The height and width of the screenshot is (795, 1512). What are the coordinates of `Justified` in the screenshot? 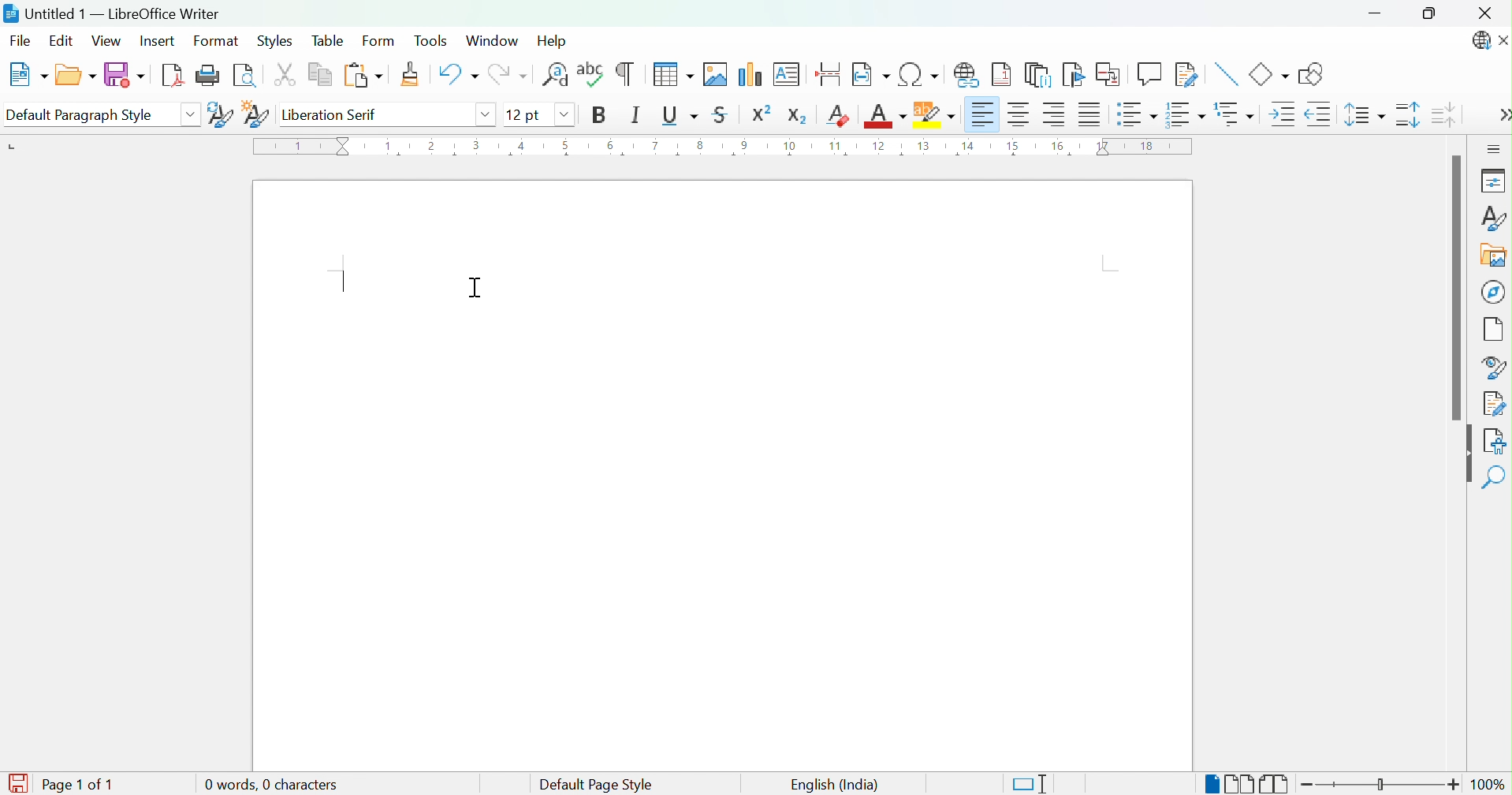 It's located at (1089, 116).